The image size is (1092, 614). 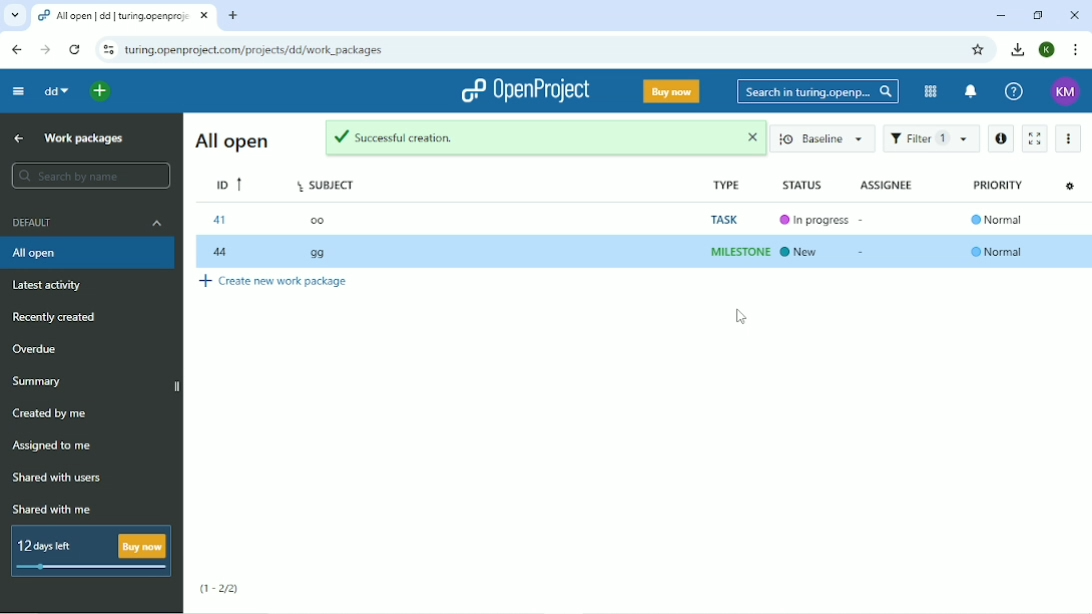 I want to click on Customize and control google chrome, so click(x=1074, y=50).